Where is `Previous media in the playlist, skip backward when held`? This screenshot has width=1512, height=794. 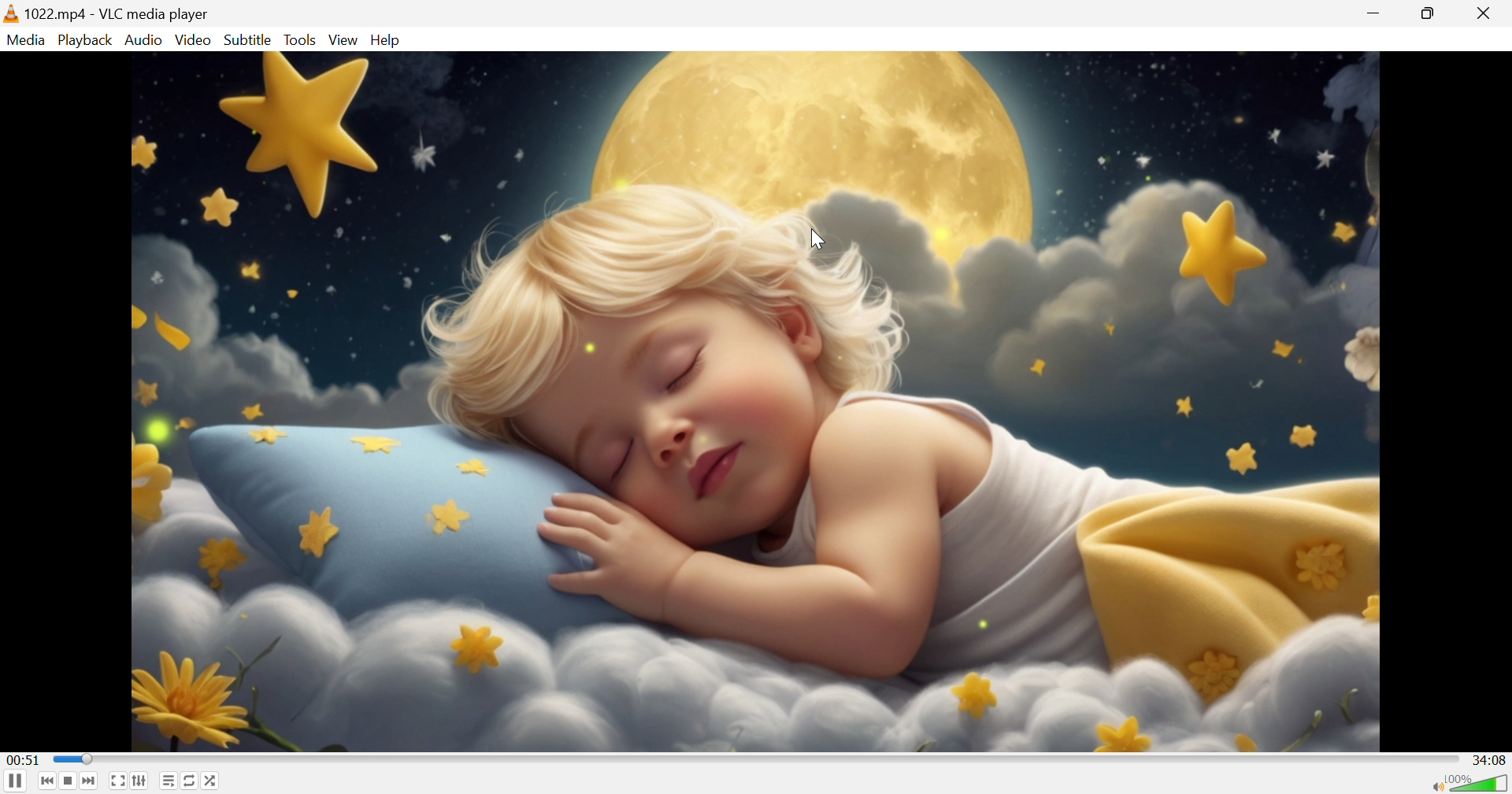
Previous media in the playlist, skip backward when held is located at coordinates (45, 781).